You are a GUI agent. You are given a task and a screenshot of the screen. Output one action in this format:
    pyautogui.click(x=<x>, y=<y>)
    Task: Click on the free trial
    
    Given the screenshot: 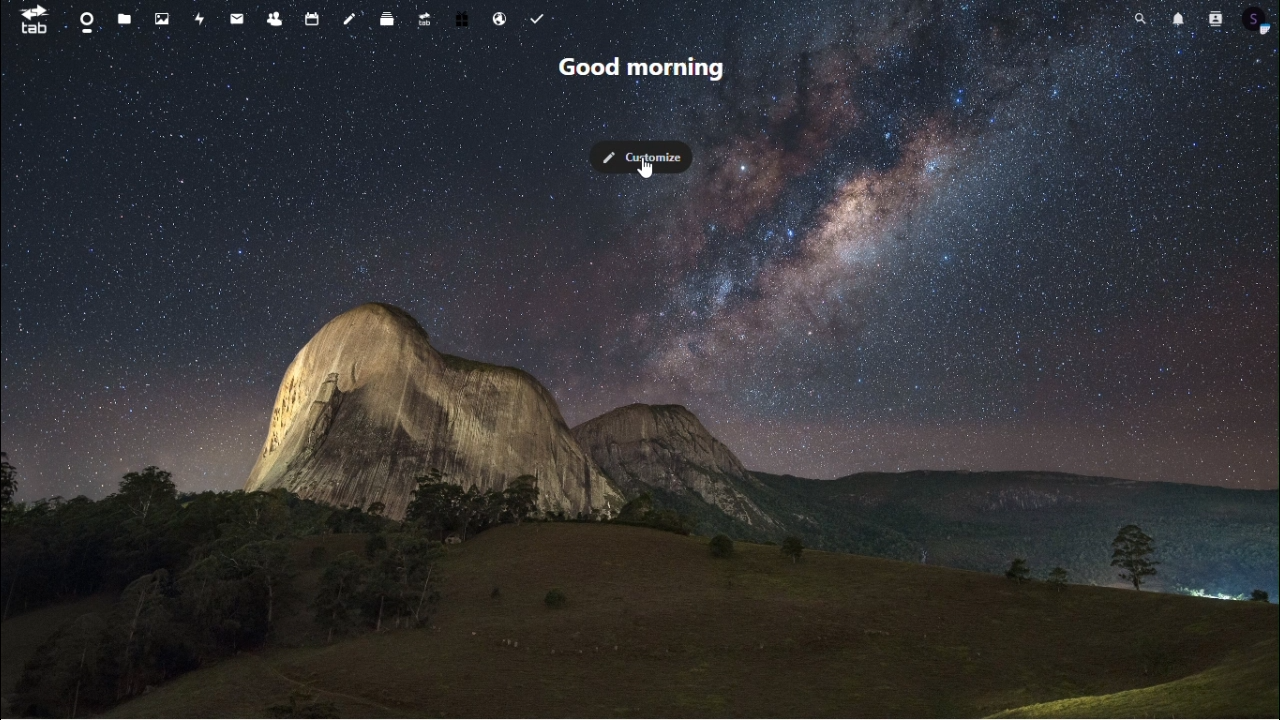 What is the action you would take?
    pyautogui.click(x=463, y=27)
    